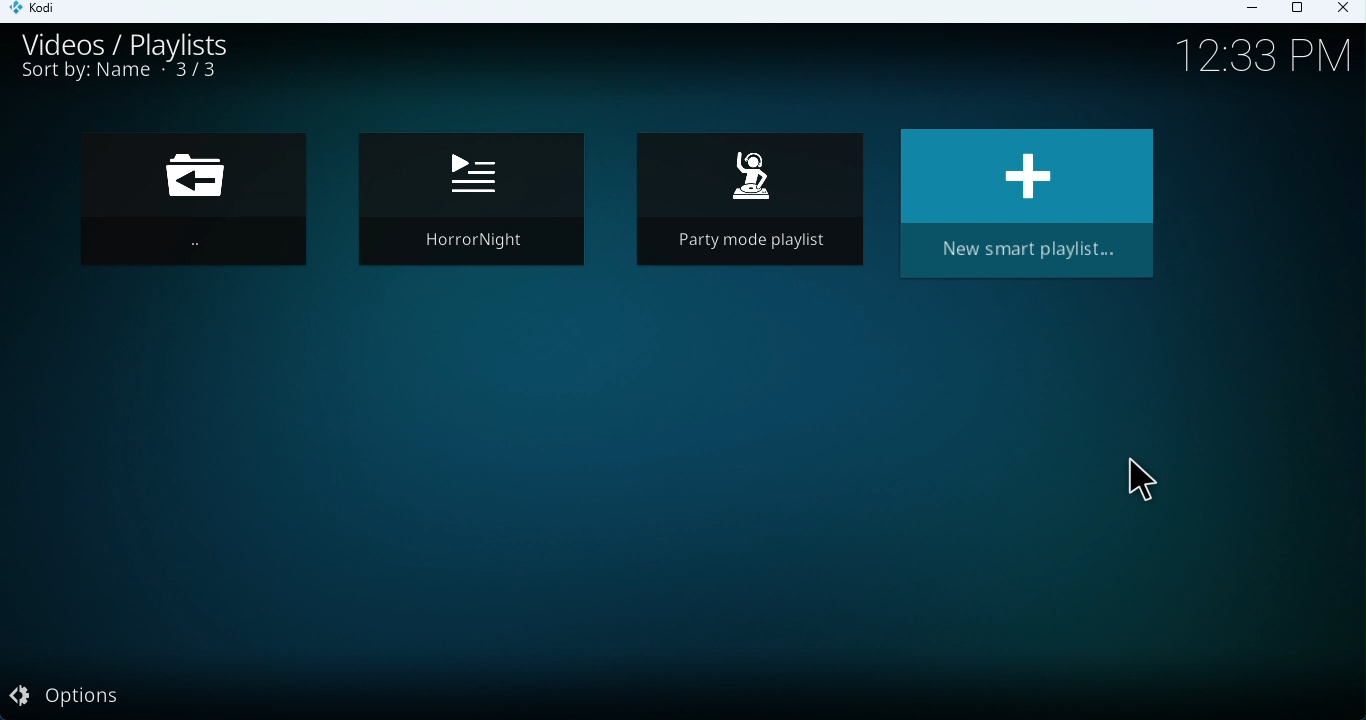 This screenshot has height=720, width=1366. I want to click on Close, so click(1346, 12).